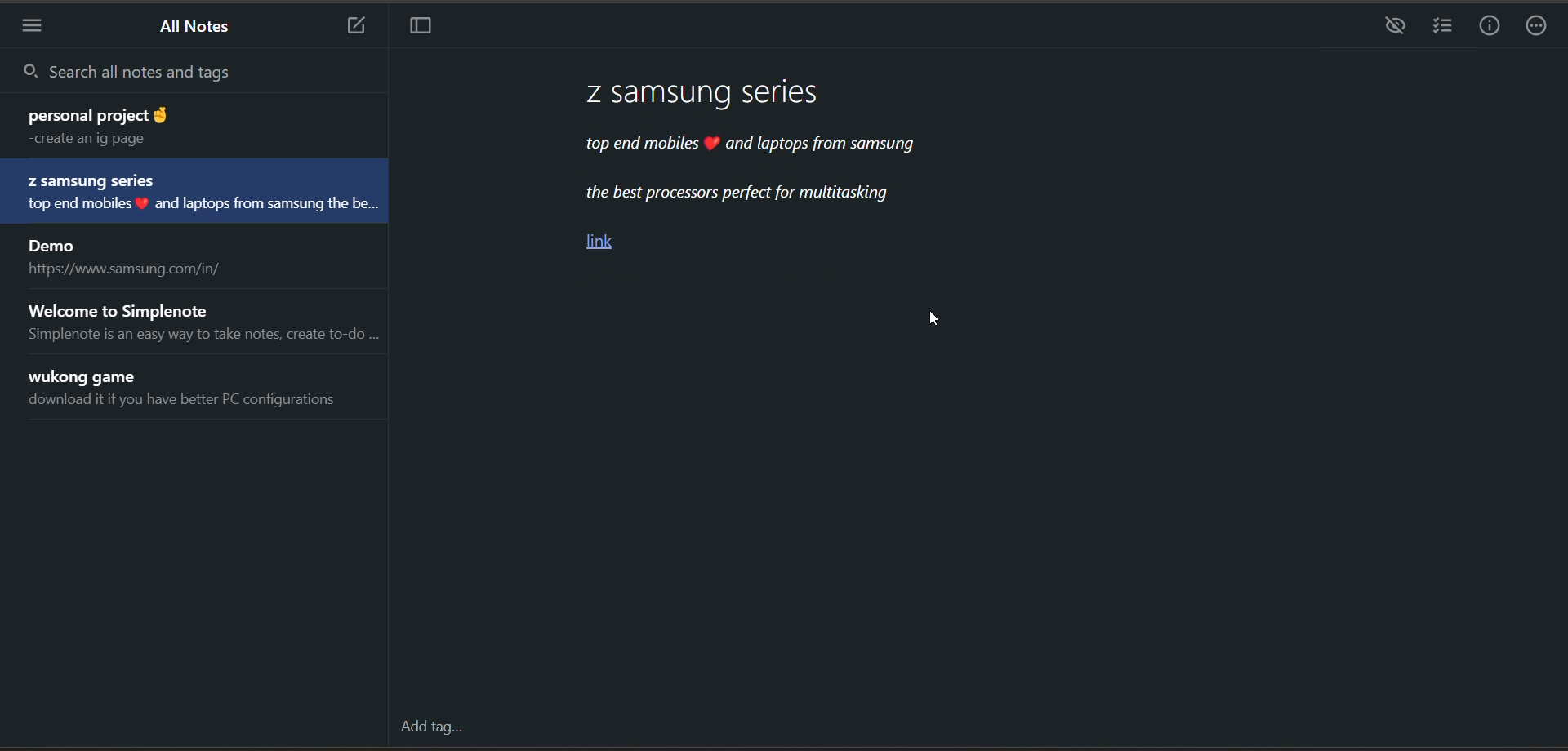 Image resolution: width=1568 pixels, height=751 pixels. What do you see at coordinates (355, 26) in the screenshot?
I see `new note` at bounding box center [355, 26].